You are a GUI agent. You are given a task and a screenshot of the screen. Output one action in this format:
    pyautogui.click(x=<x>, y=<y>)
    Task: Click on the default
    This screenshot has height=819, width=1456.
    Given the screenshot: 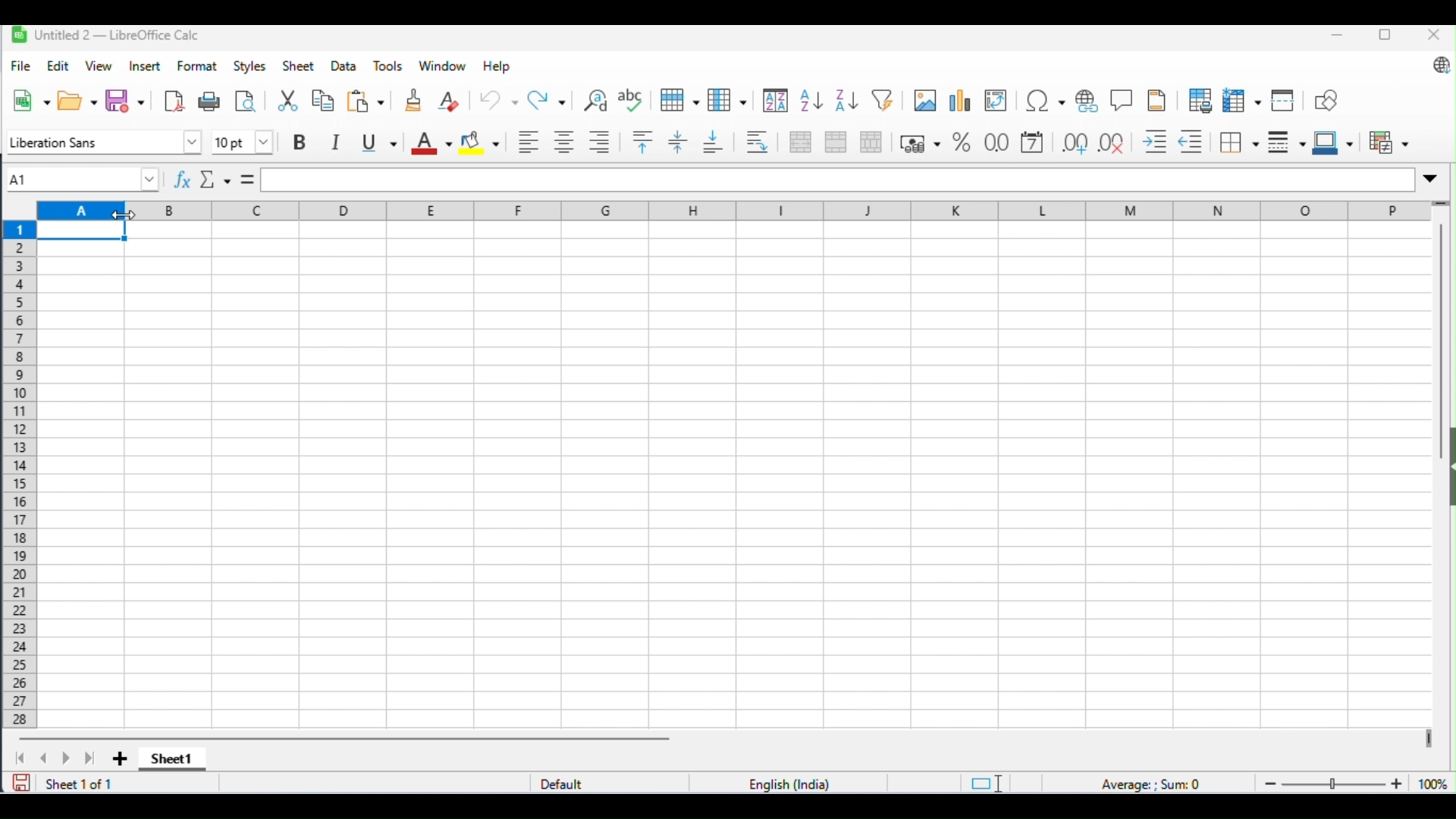 What is the action you would take?
    pyautogui.click(x=569, y=783)
    